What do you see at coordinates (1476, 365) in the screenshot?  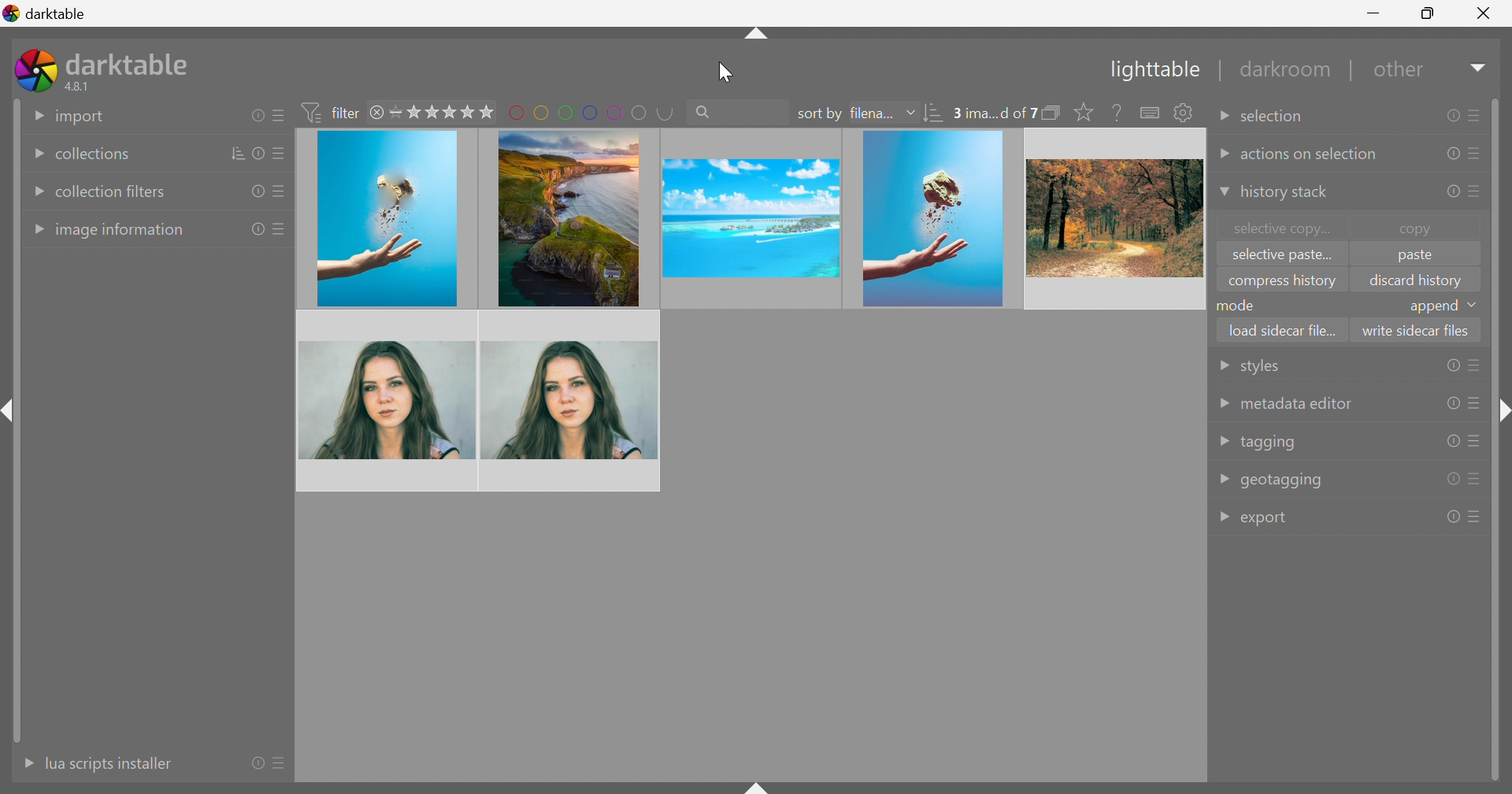 I see `presets` at bounding box center [1476, 365].